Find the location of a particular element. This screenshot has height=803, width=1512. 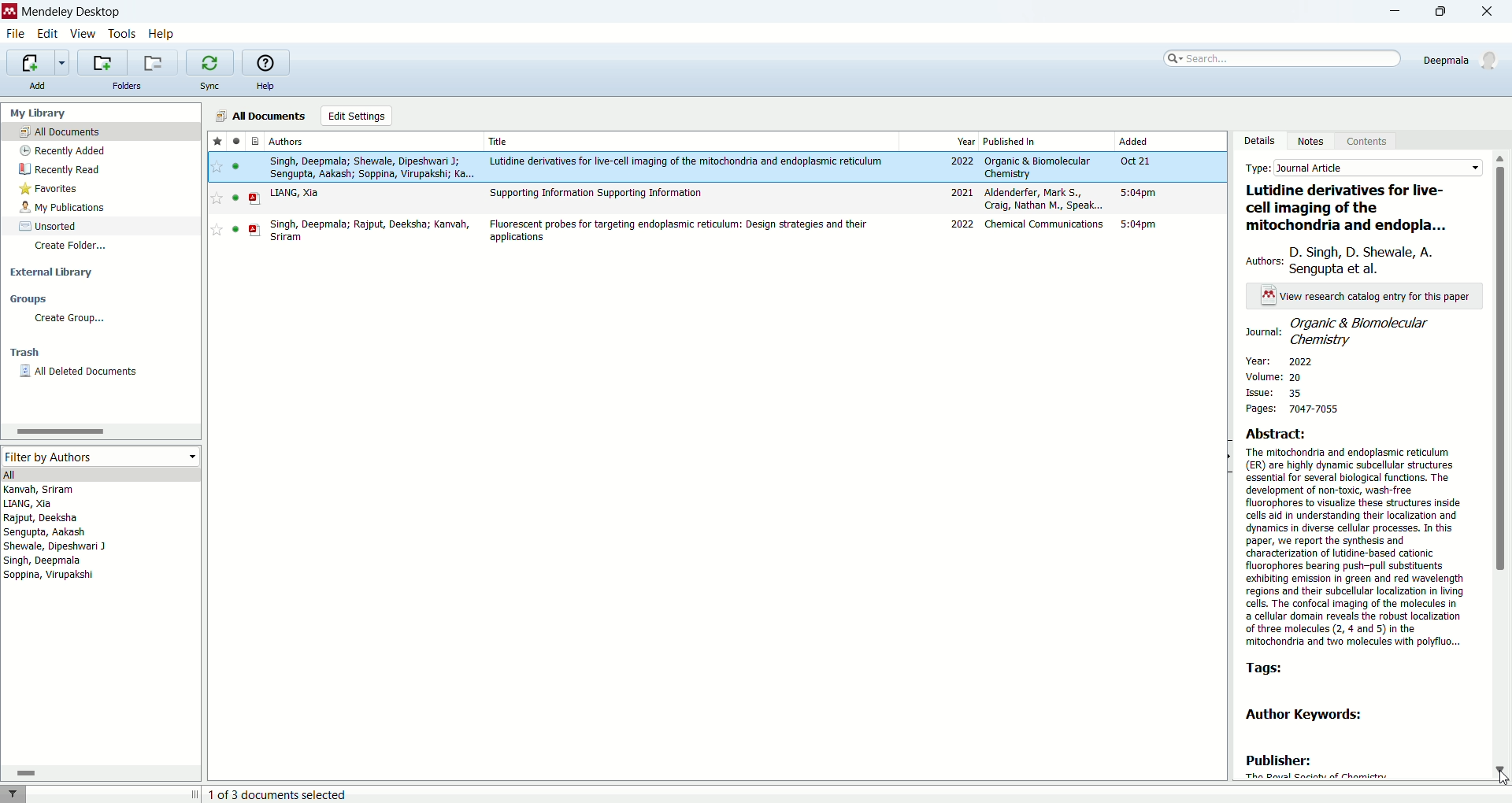

Fluorescent probes for targeting endoplasmic reticulum: design strategies and their applications is located at coordinates (677, 231).